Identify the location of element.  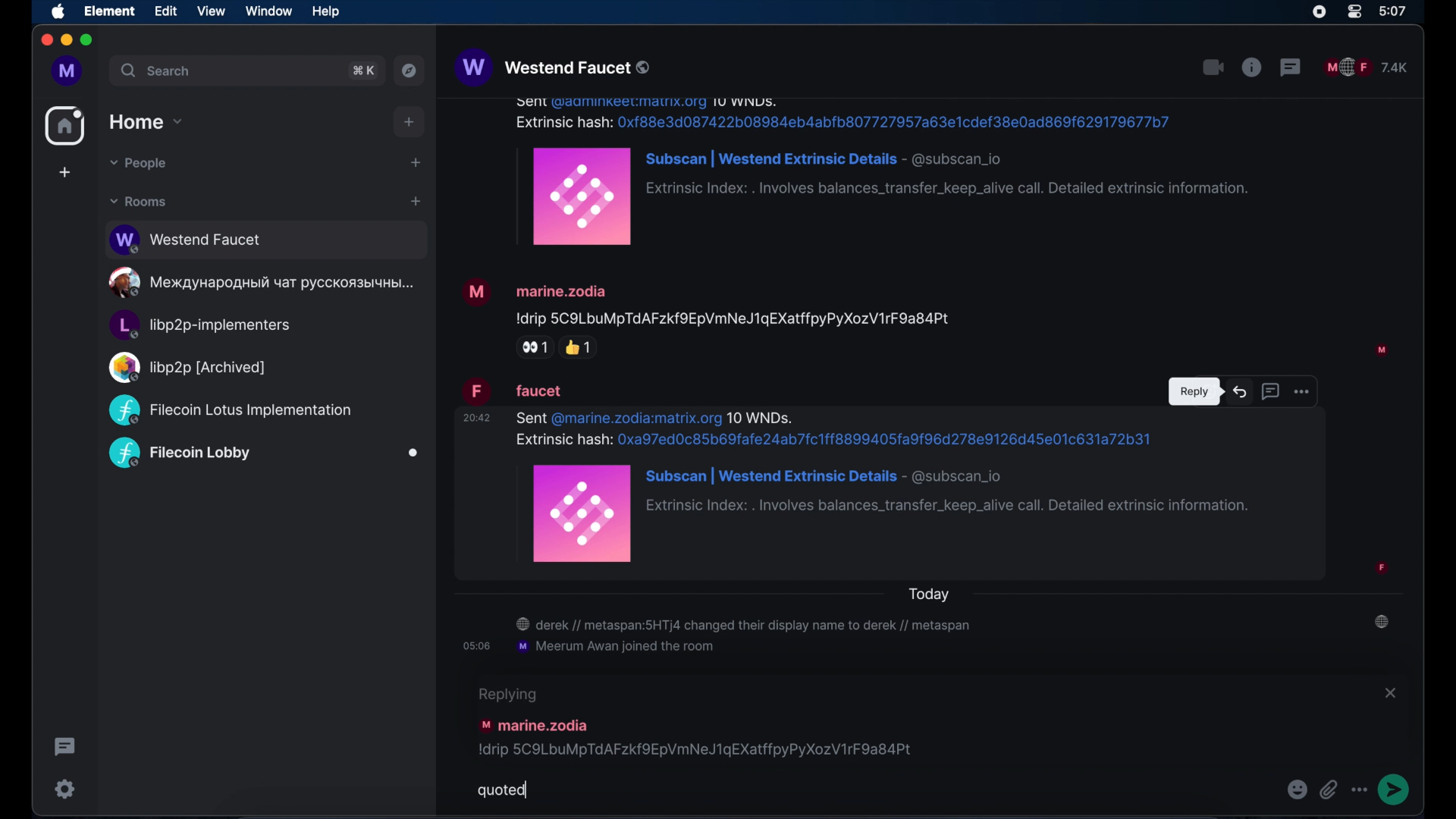
(111, 11).